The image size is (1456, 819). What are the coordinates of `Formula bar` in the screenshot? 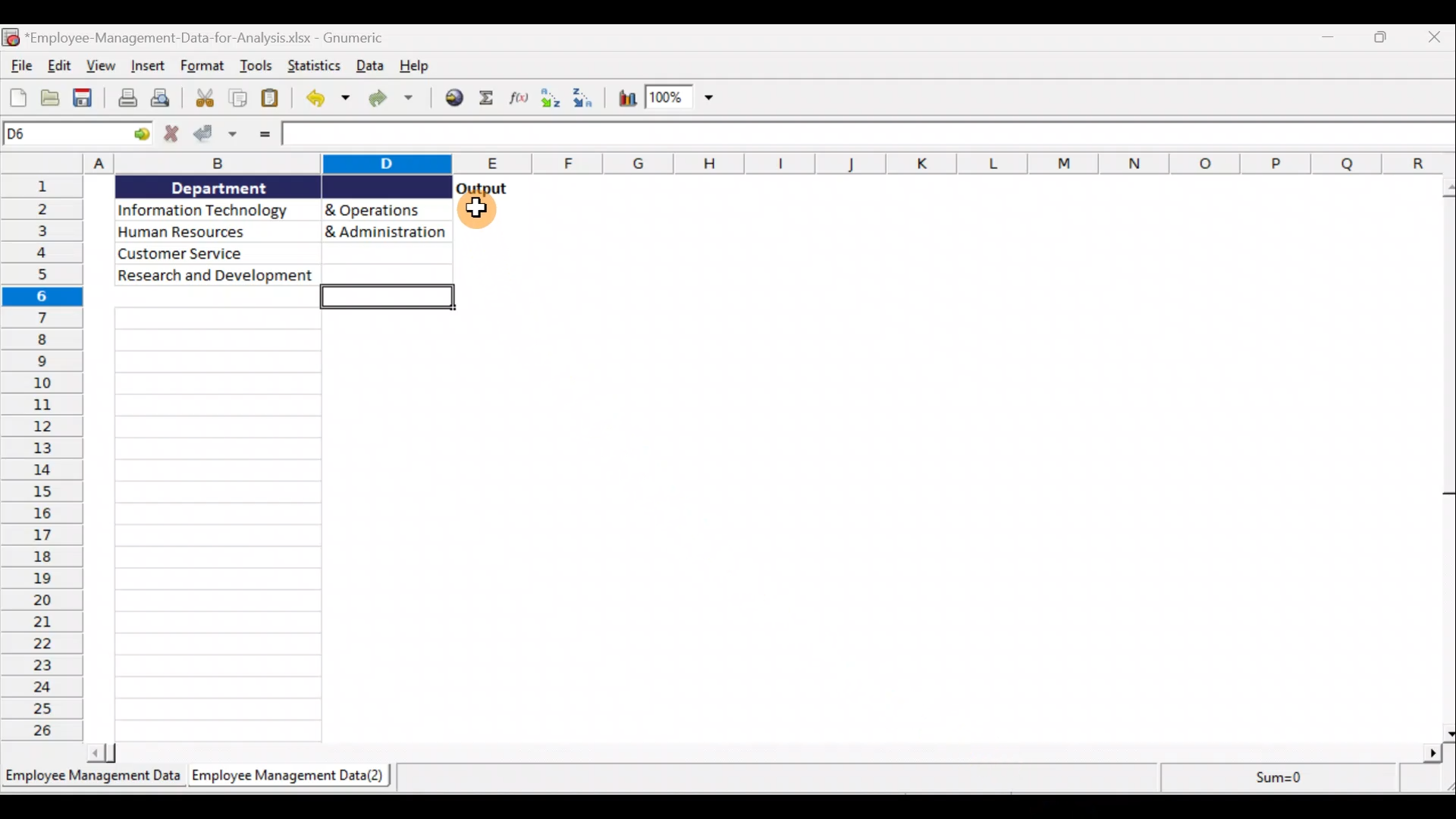 It's located at (870, 133).